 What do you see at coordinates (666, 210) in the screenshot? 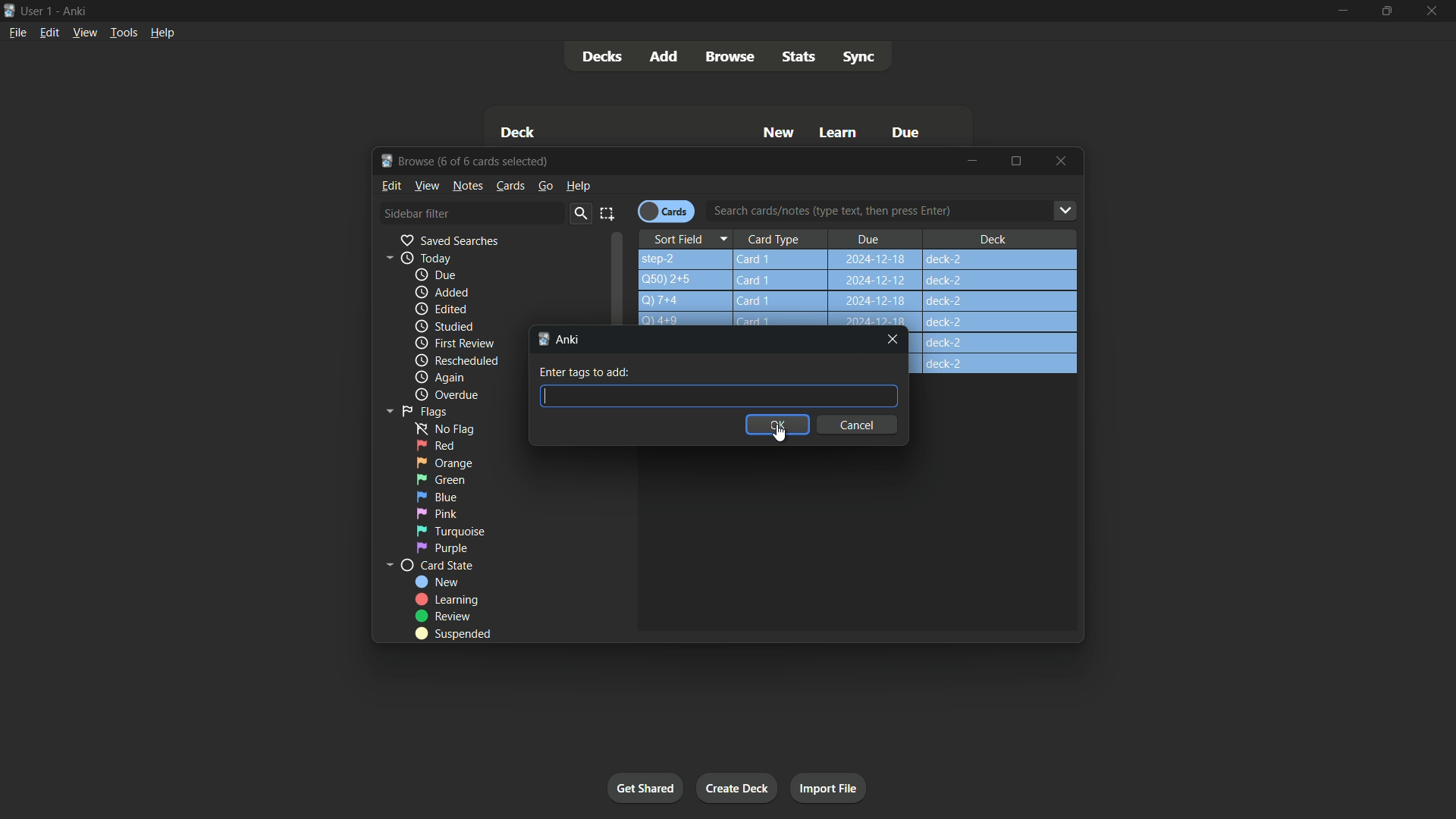
I see `Cards` at bounding box center [666, 210].